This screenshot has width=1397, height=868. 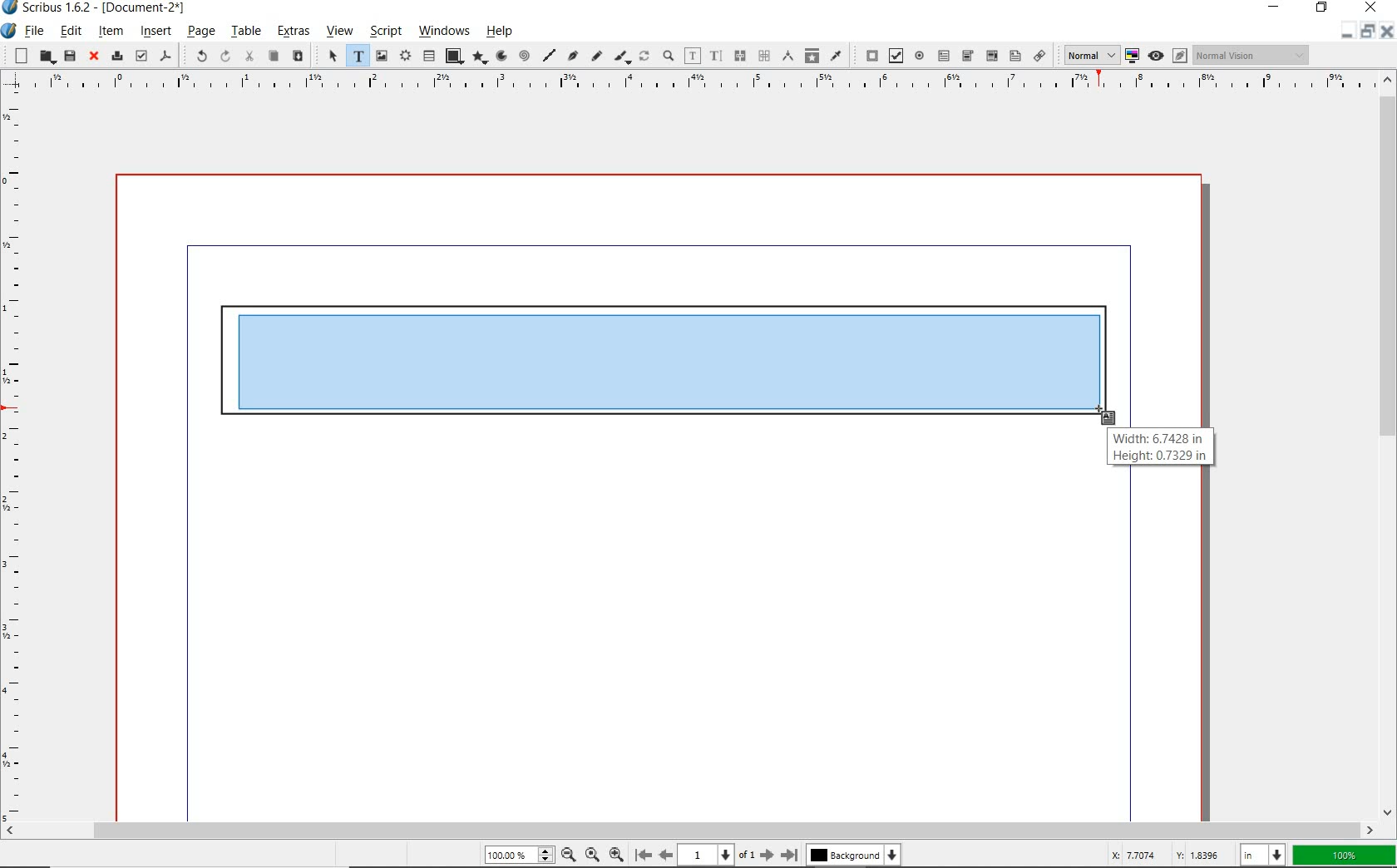 What do you see at coordinates (574, 57) in the screenshot?
I see `Bezier curve` at bounding box center [574, 57].